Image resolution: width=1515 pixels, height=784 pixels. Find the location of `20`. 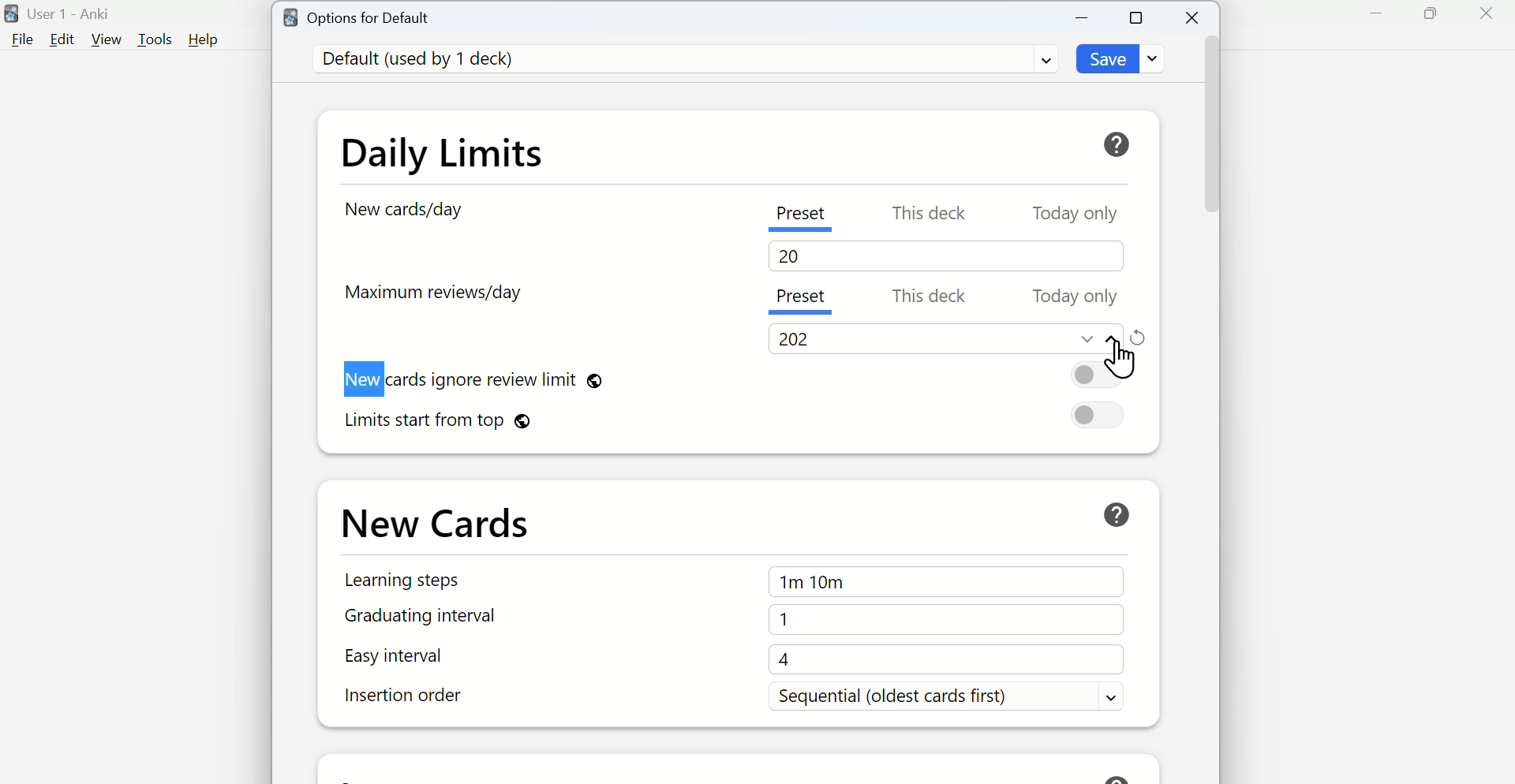

20 is located at coordinates (788, 256).